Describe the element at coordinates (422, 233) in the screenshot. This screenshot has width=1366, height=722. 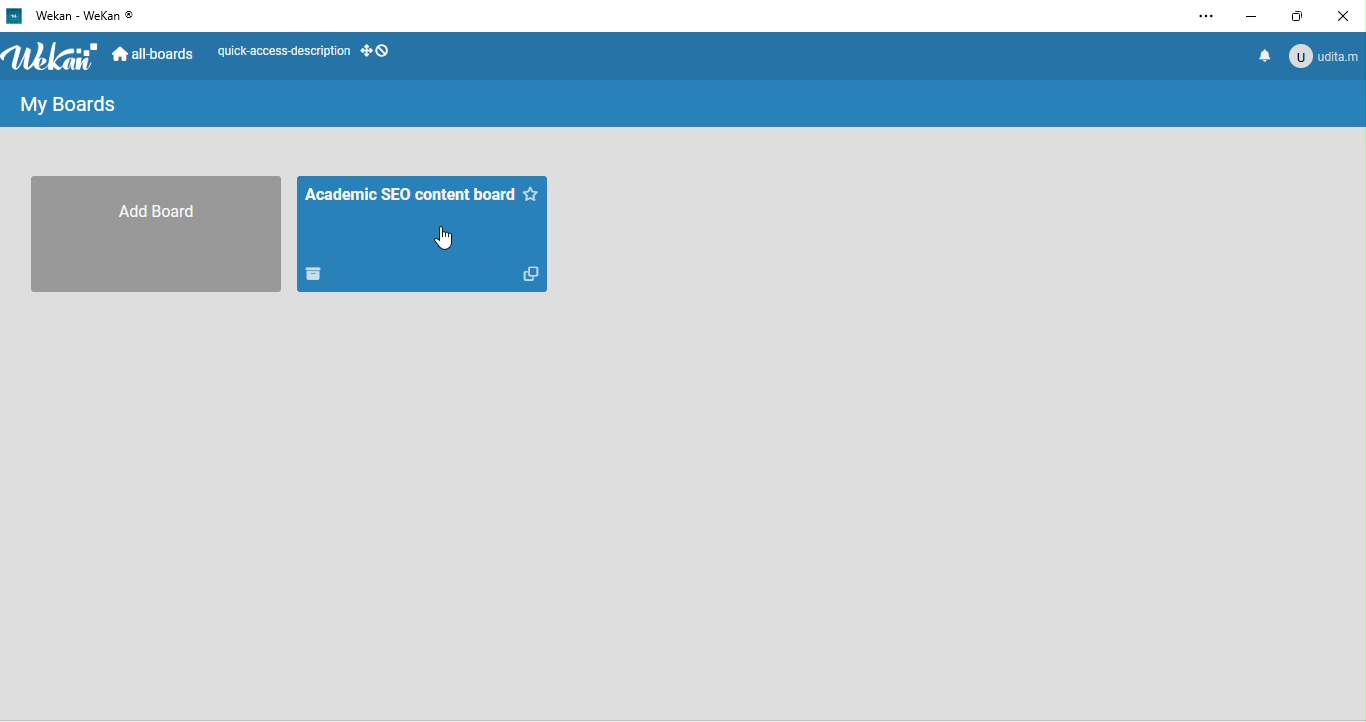
I see `academic seo content board` at that location.